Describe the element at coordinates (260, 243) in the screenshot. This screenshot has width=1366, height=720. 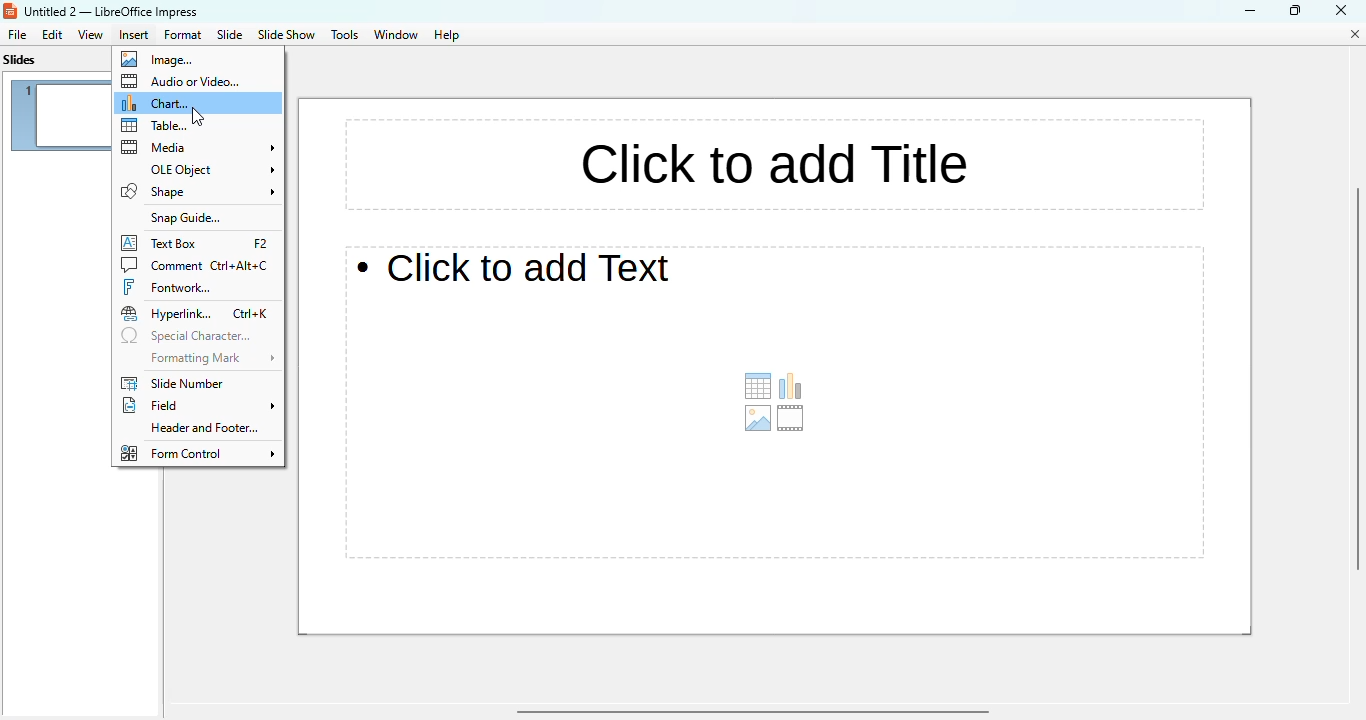
I see `shortcut for text box` at that location.